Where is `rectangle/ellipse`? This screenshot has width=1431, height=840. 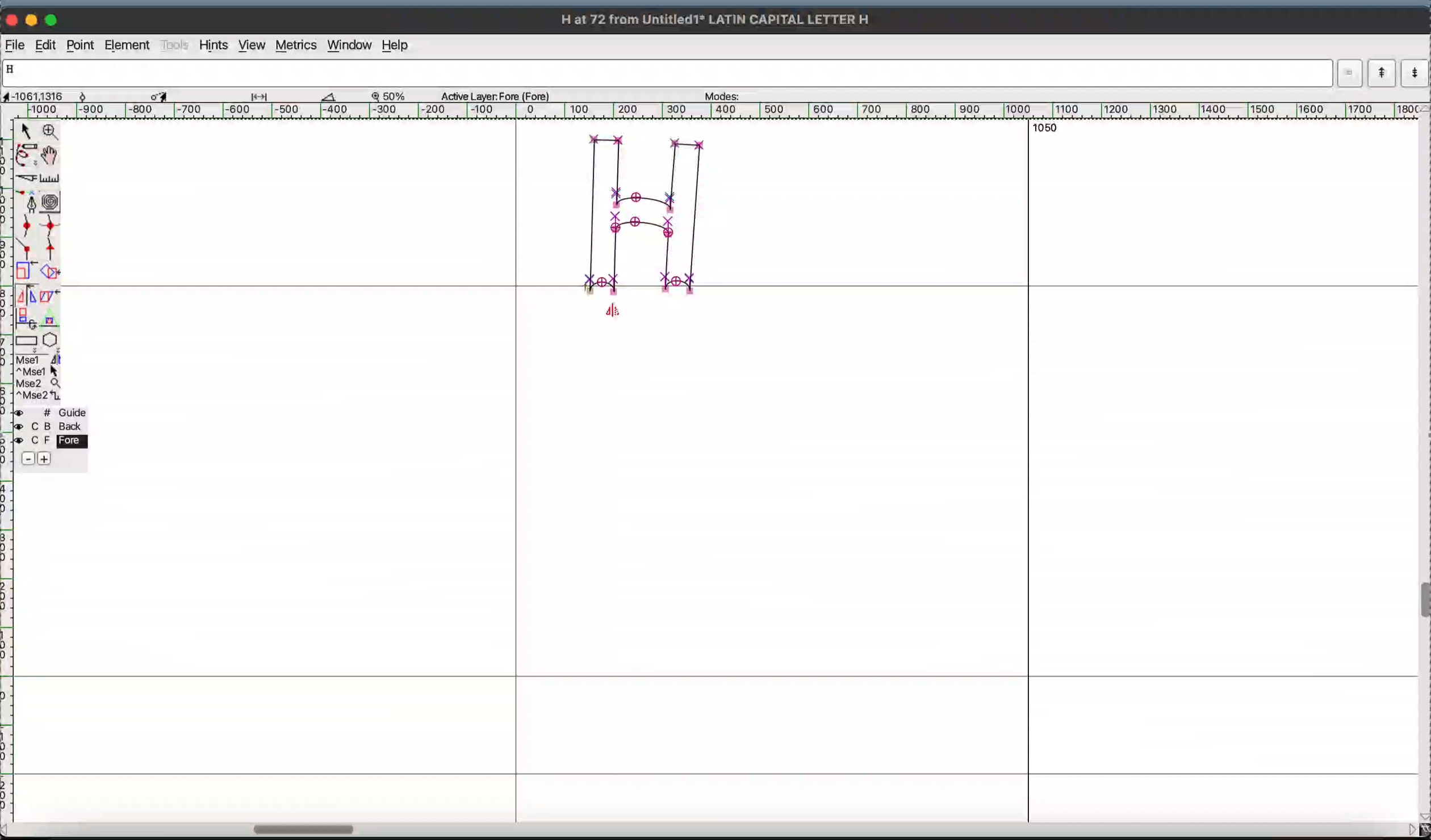 rectangle/ellipse is located at coordinates (27, 341).